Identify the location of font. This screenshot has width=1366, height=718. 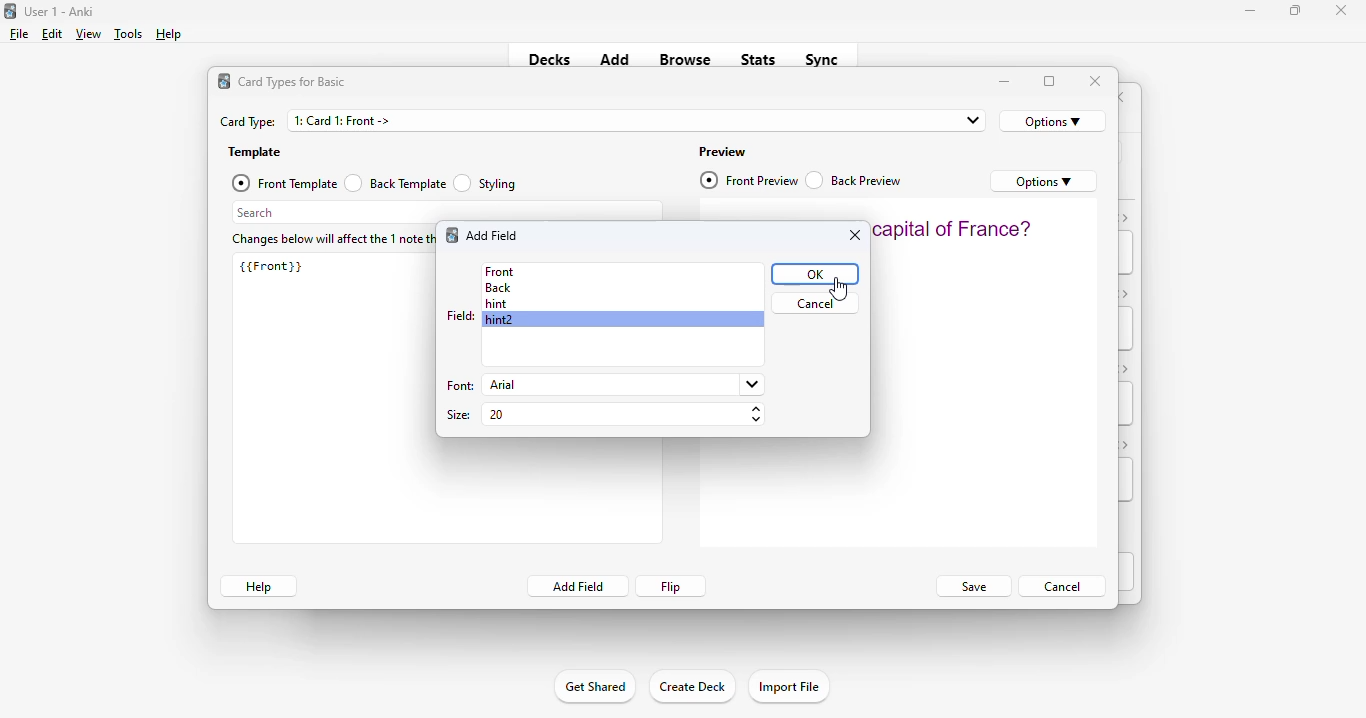
(458, 387).